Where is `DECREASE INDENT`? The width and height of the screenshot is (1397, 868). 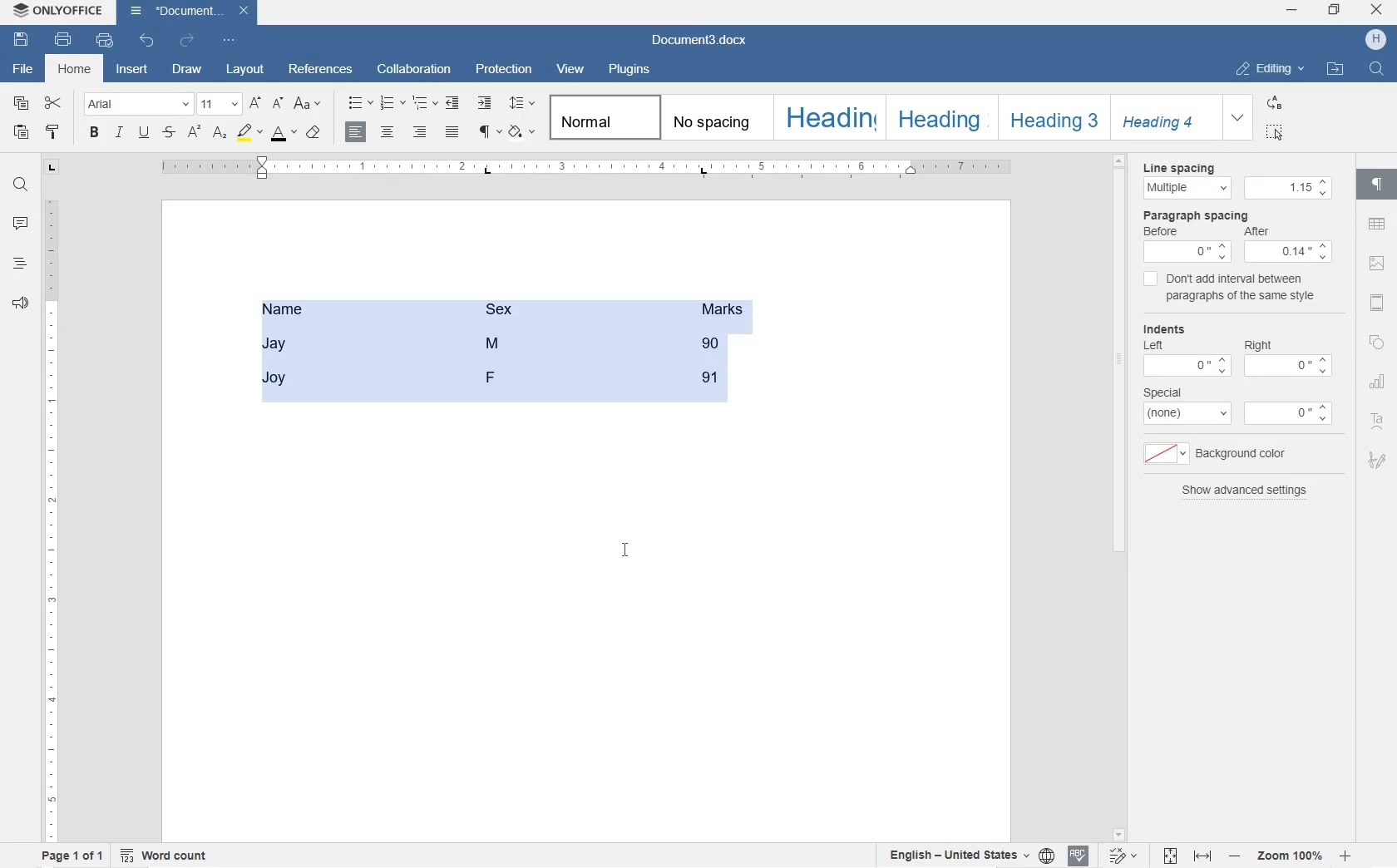
DECREASE INDENT is located at coordinates (452, 103).